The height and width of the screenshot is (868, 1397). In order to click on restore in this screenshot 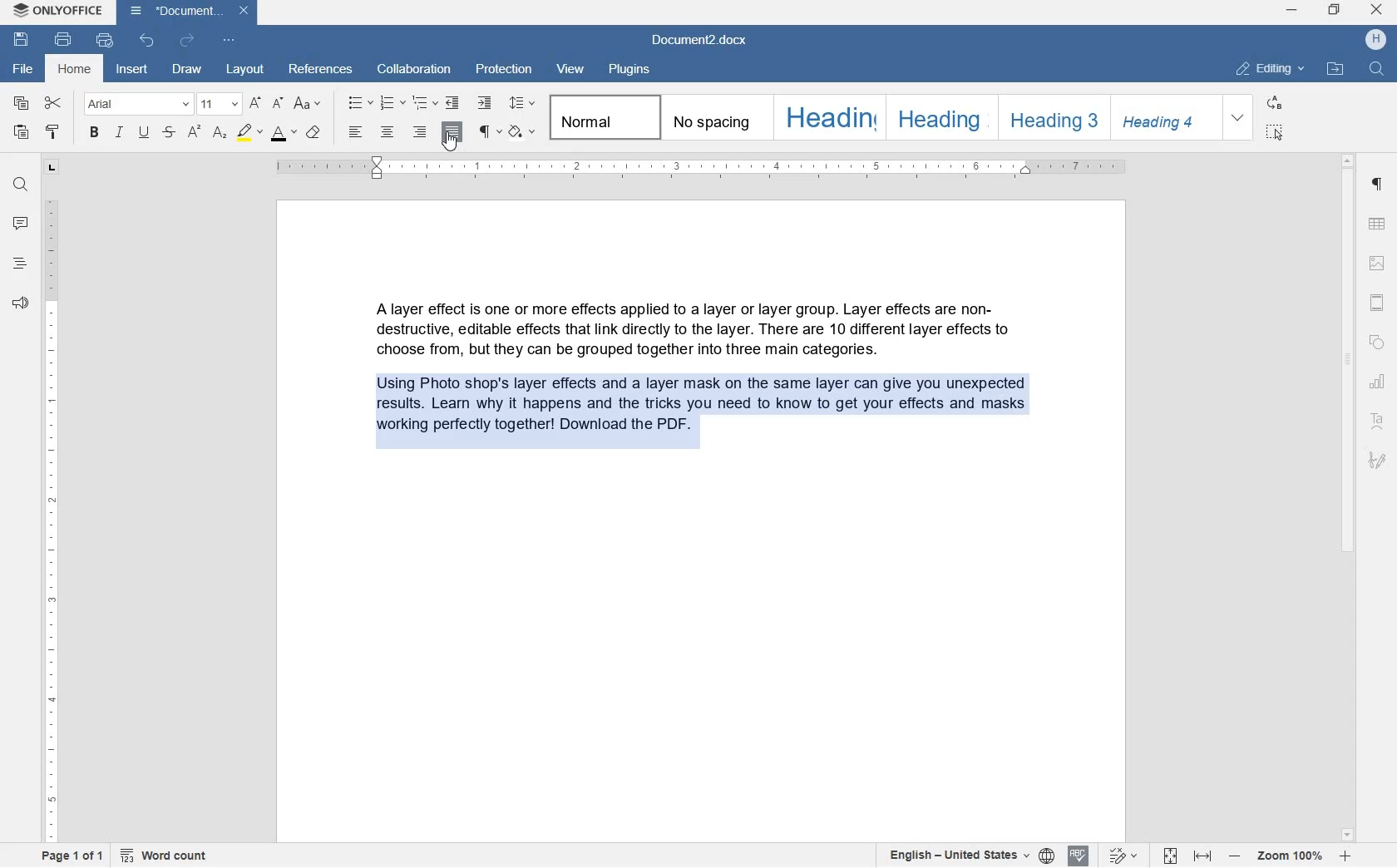, I will do `click(1333, 11)`.